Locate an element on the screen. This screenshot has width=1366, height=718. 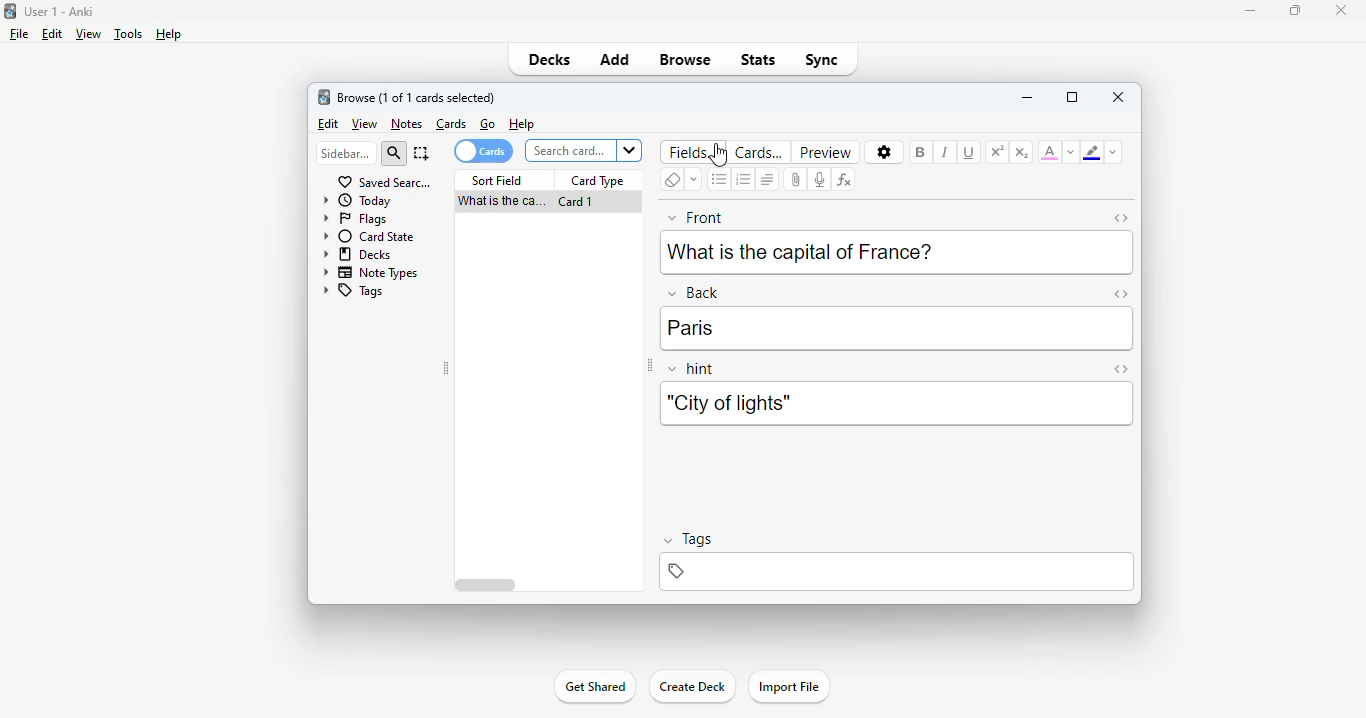
underline is located at coordinates (967, 152).